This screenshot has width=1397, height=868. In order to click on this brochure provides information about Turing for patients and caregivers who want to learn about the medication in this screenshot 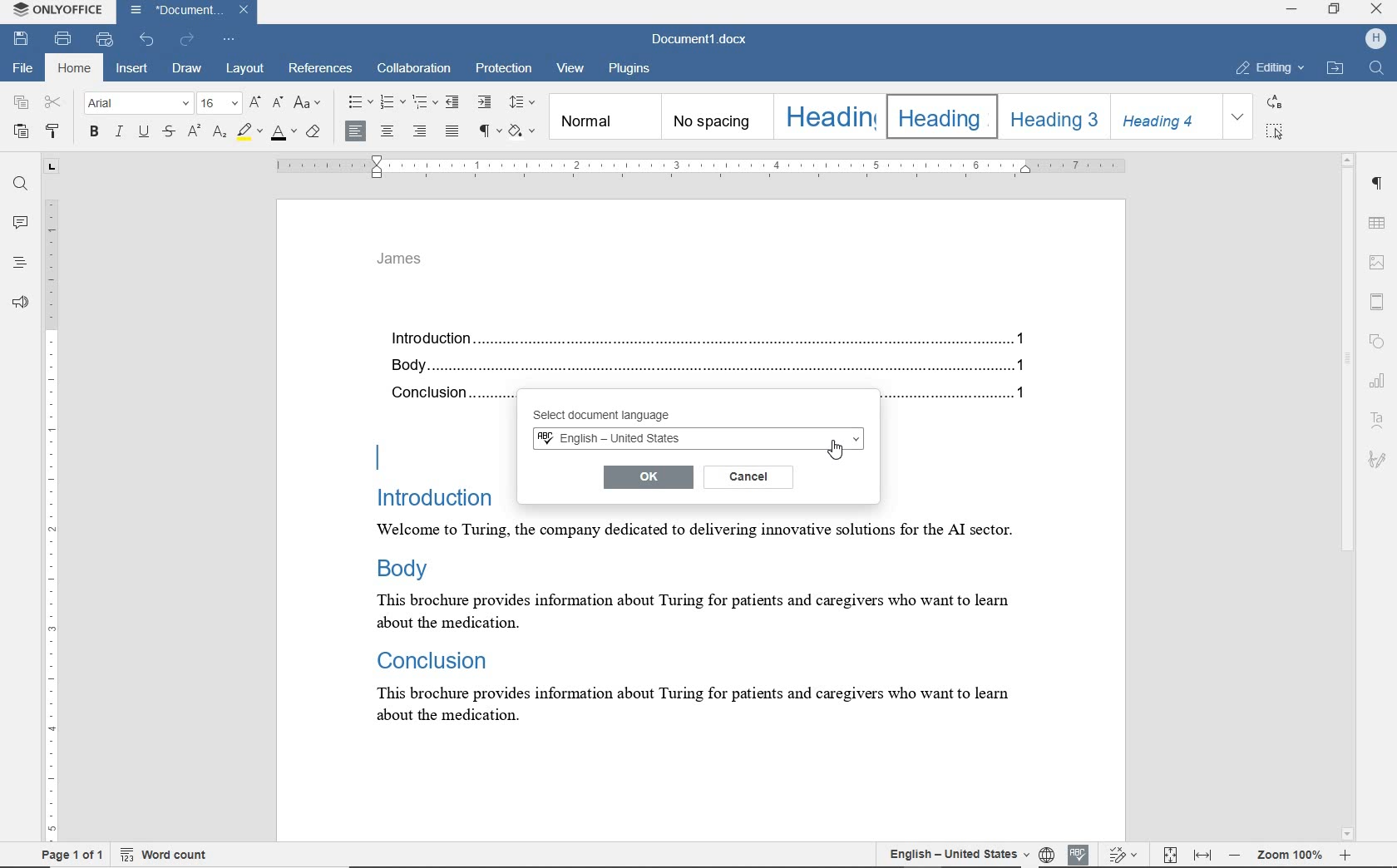, I will do `click(705, 706)`.